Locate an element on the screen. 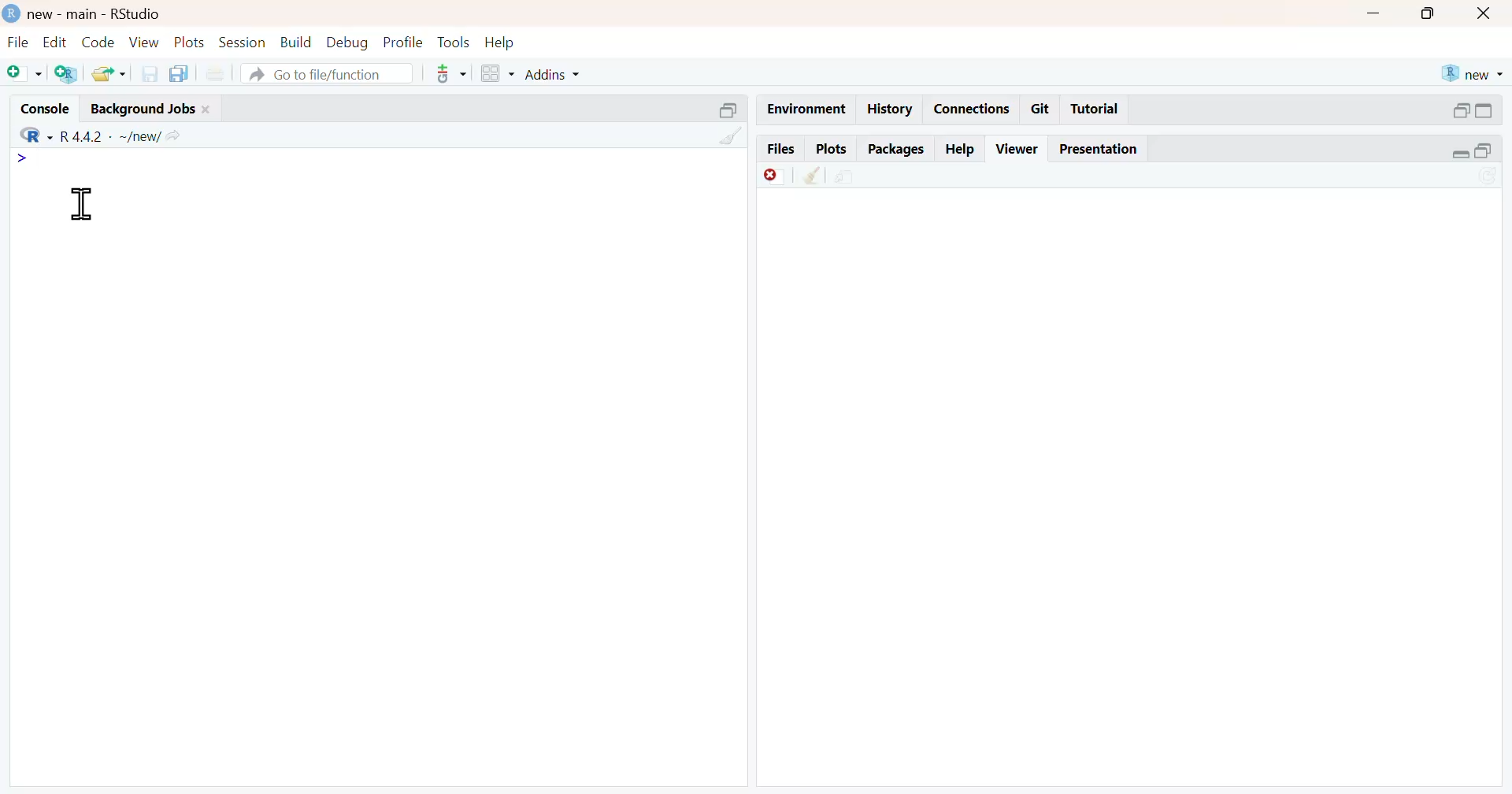  viewer is located at coordinates (1018, 150).